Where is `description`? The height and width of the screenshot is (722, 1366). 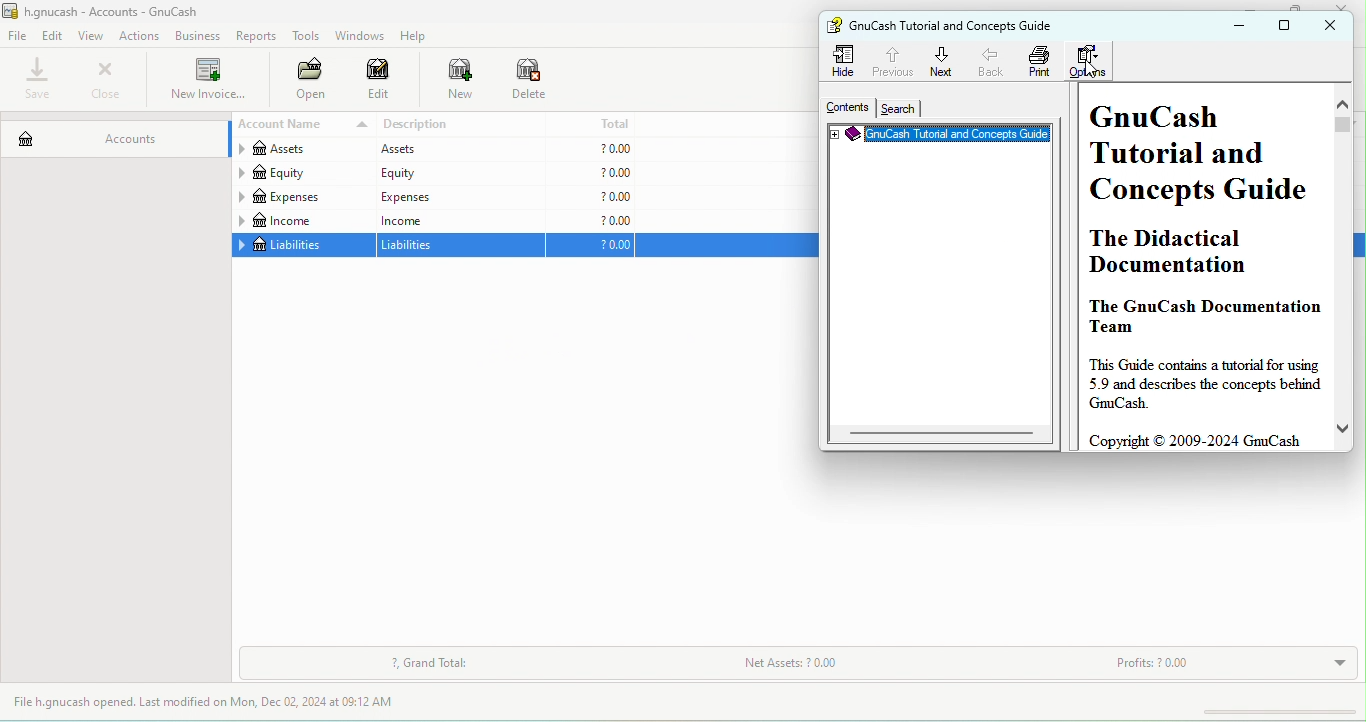 description is located at coordinates (461, 125).